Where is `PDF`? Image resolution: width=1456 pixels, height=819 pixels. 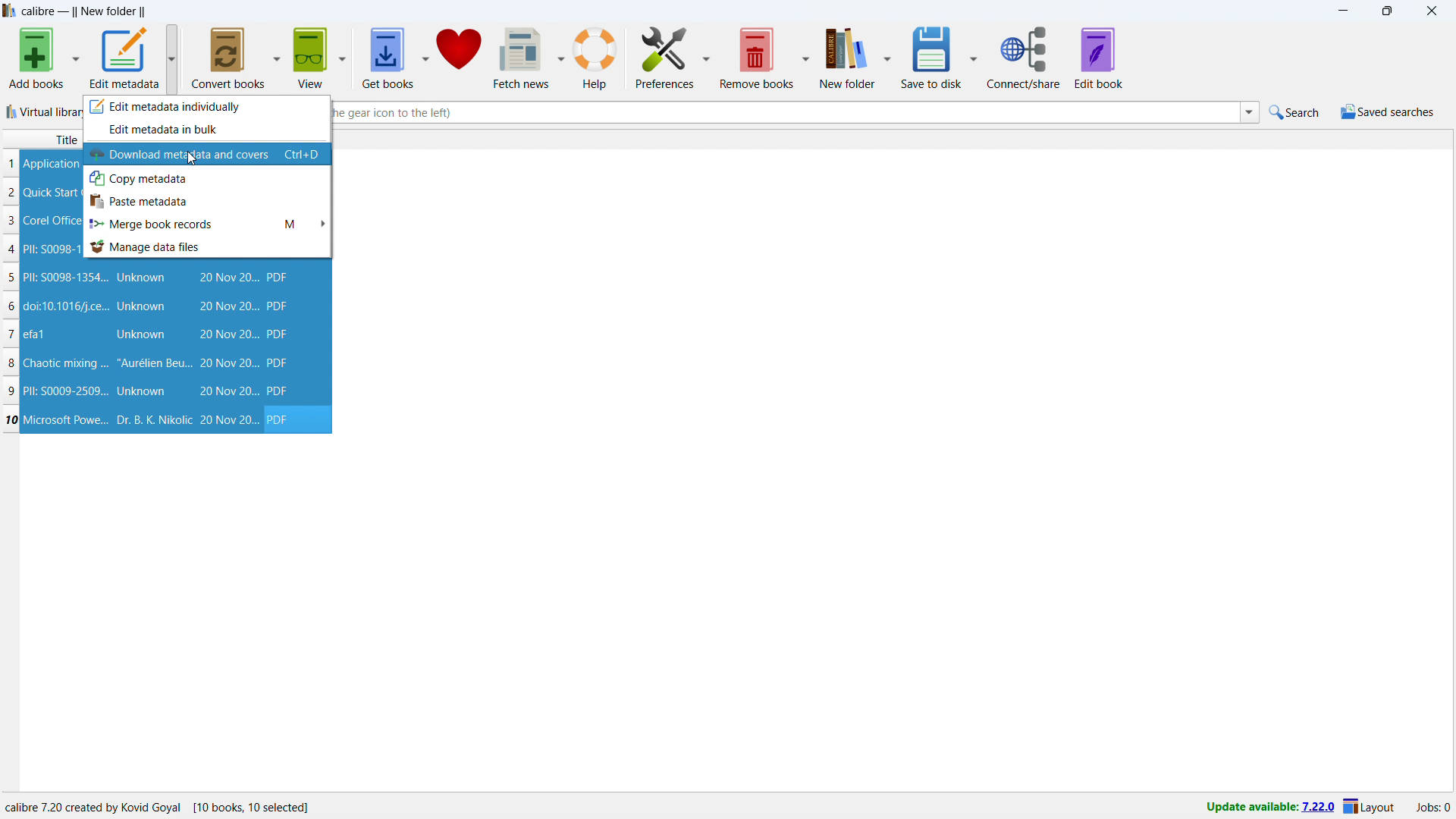
PDF is located at coordinates (280, 391).